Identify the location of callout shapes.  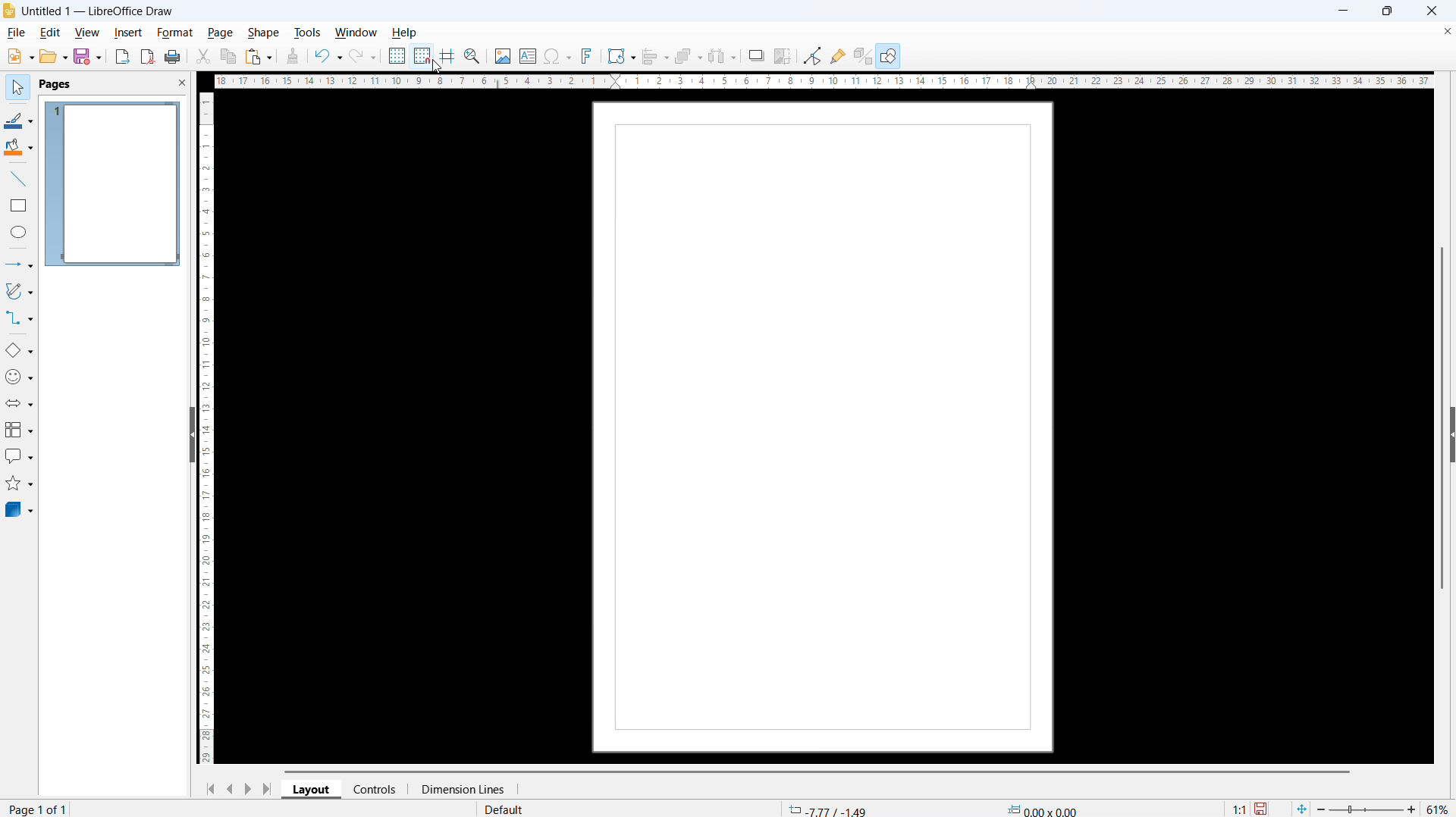
(19, 456).